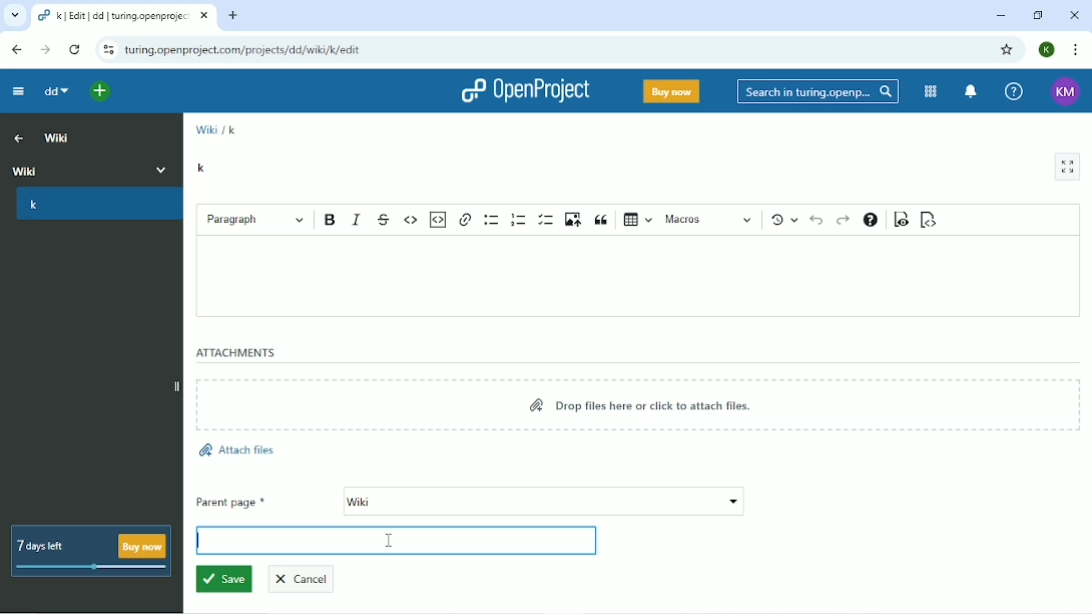 This screenshot has width=1092, height=614. What do you see at coordinates (16, 137) in the screenshot?
I see `Up` at bounding box center [16, 137].